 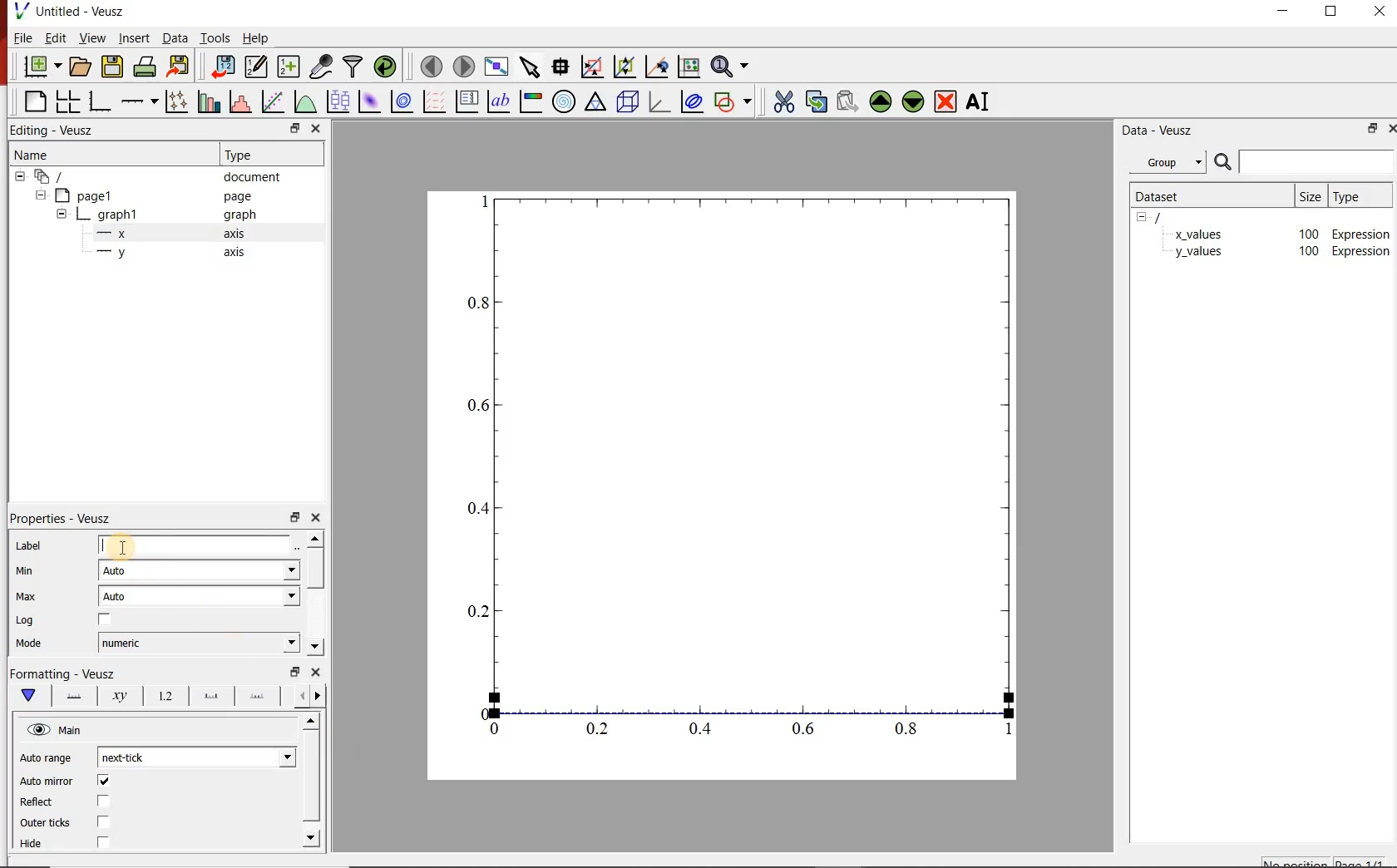 I want to click on hide, so click(x=1147, y=218).